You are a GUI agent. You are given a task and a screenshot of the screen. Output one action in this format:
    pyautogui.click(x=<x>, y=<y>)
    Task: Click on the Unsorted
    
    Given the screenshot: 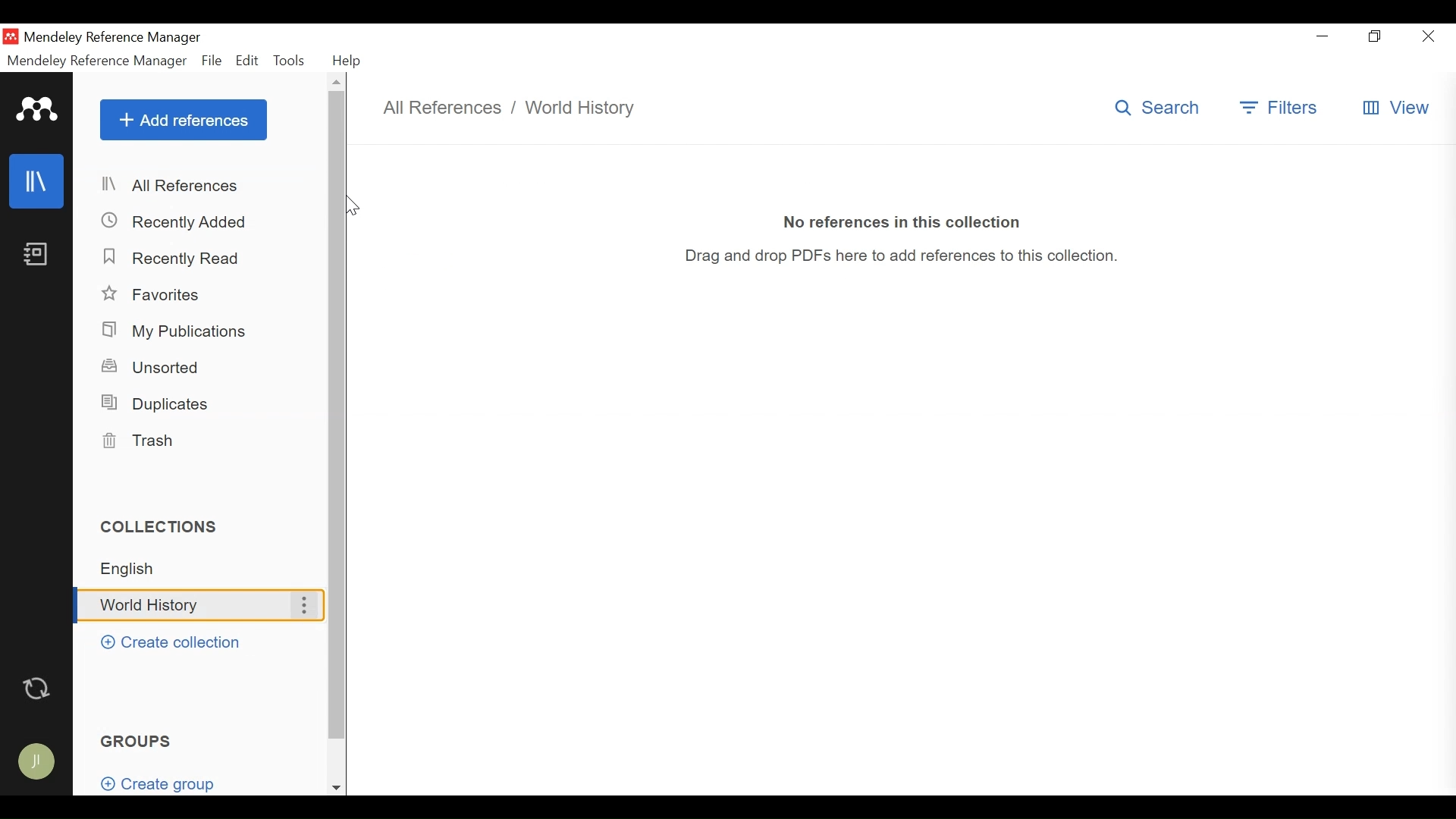 What is the action you would take?
    pyautogui.click(x=154, y=366)
    